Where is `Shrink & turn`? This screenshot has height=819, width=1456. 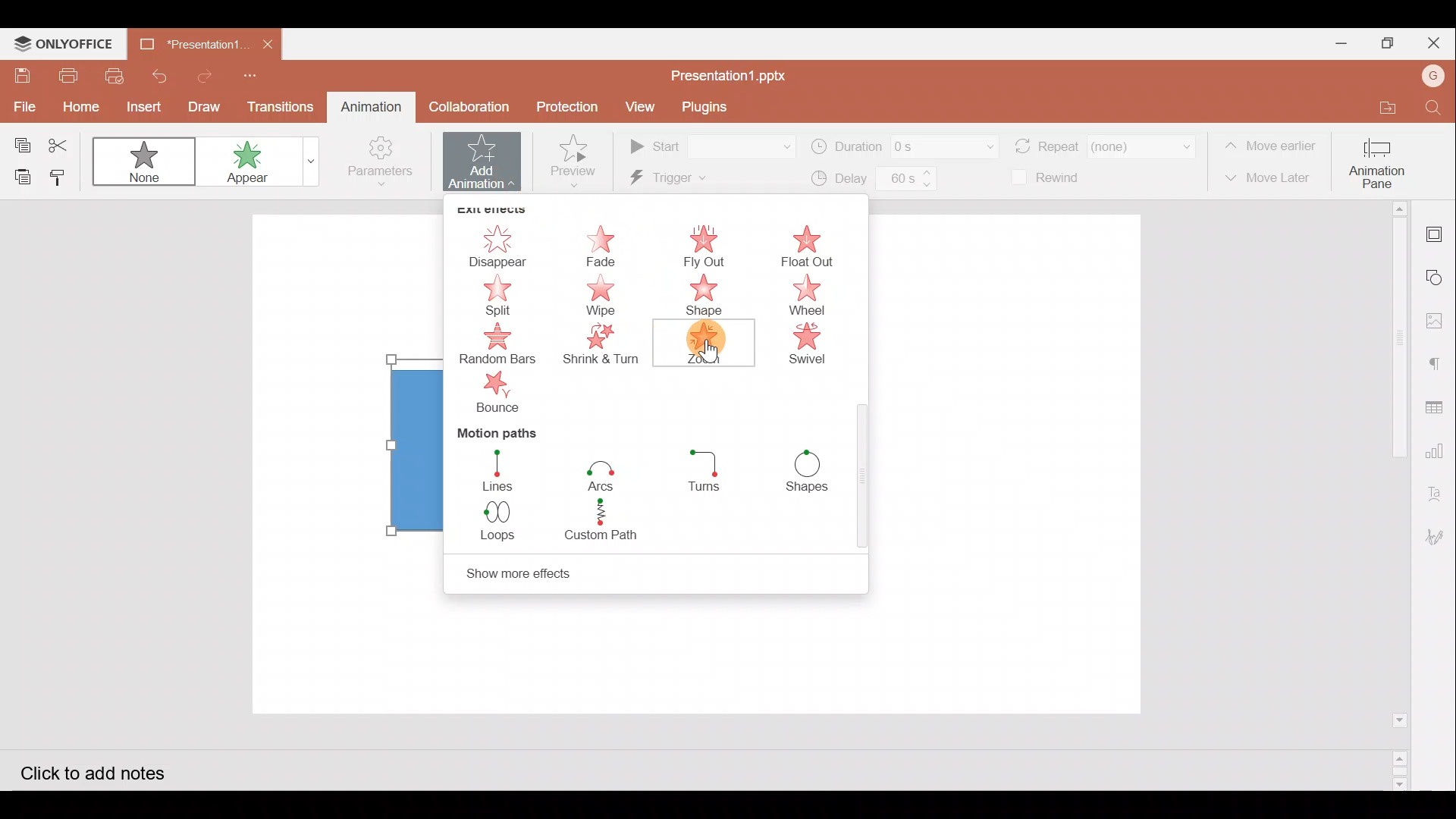
Shrink & turn is located at coordinates (606, 349).